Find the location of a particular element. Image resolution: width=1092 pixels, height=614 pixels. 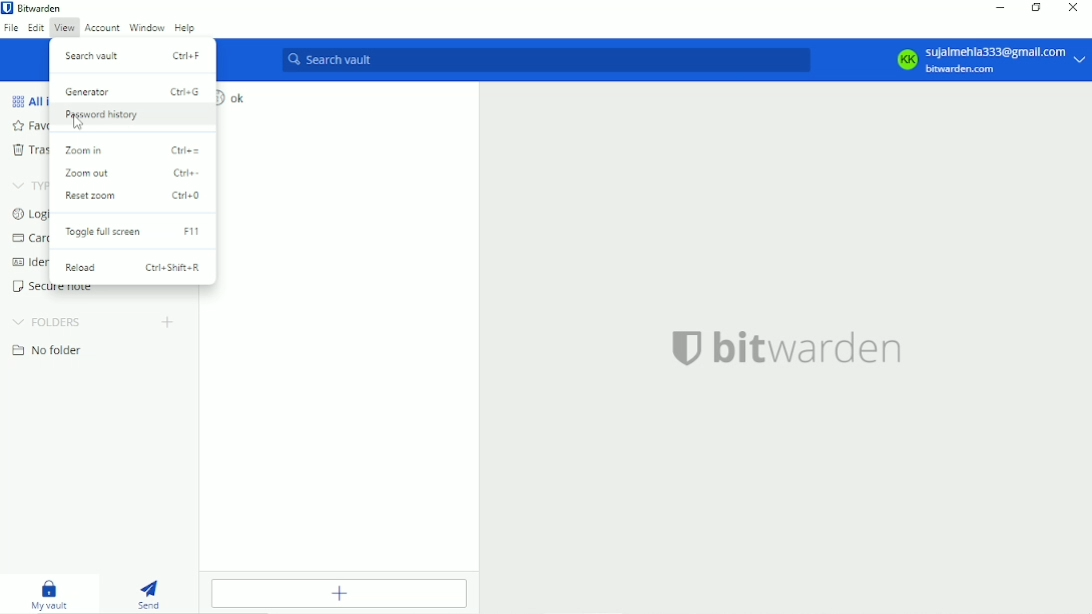

My vault is located at coordinates (49, 593).